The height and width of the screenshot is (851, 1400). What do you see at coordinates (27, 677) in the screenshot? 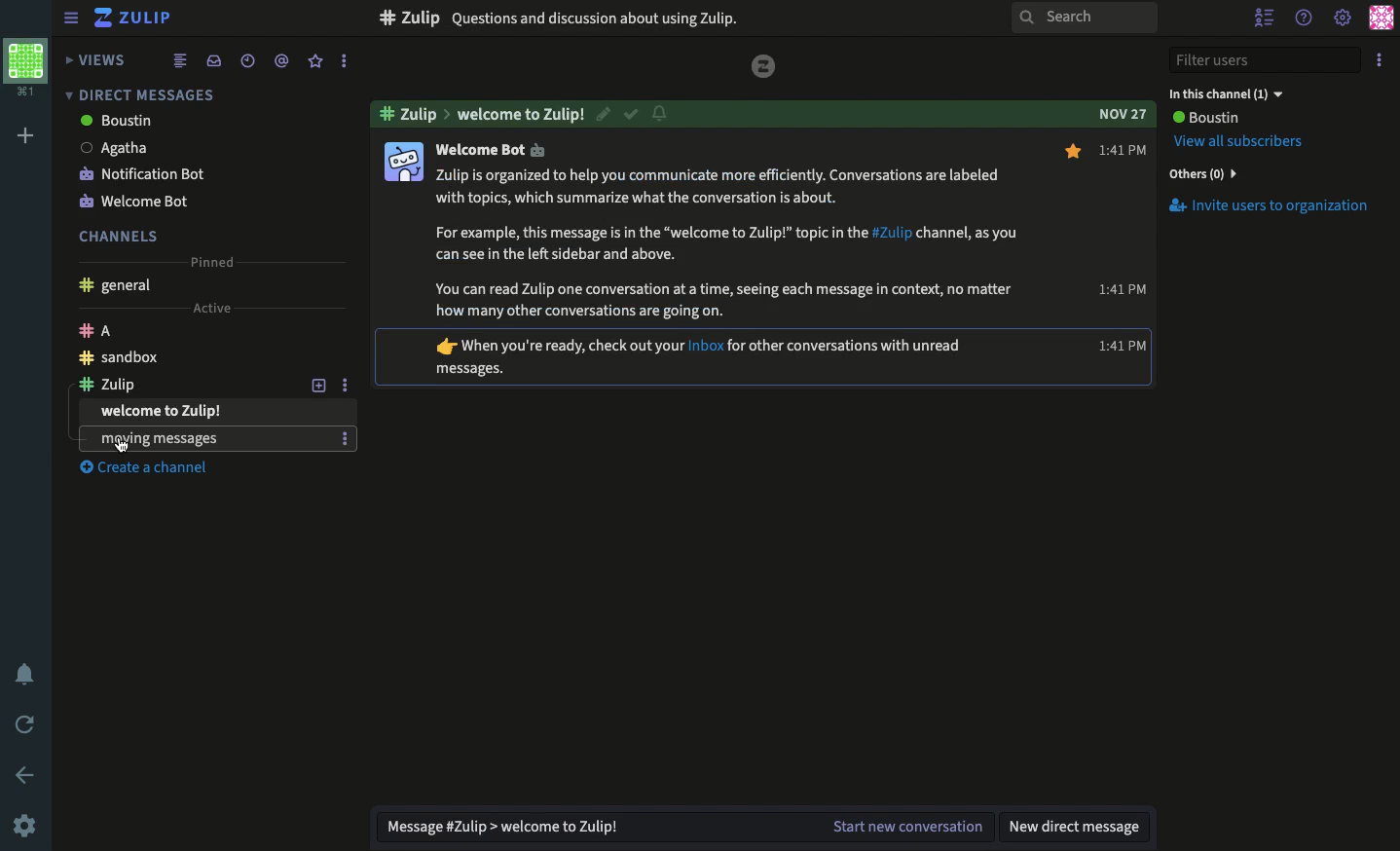
I see `Notification` at bounding box center [27, 677].